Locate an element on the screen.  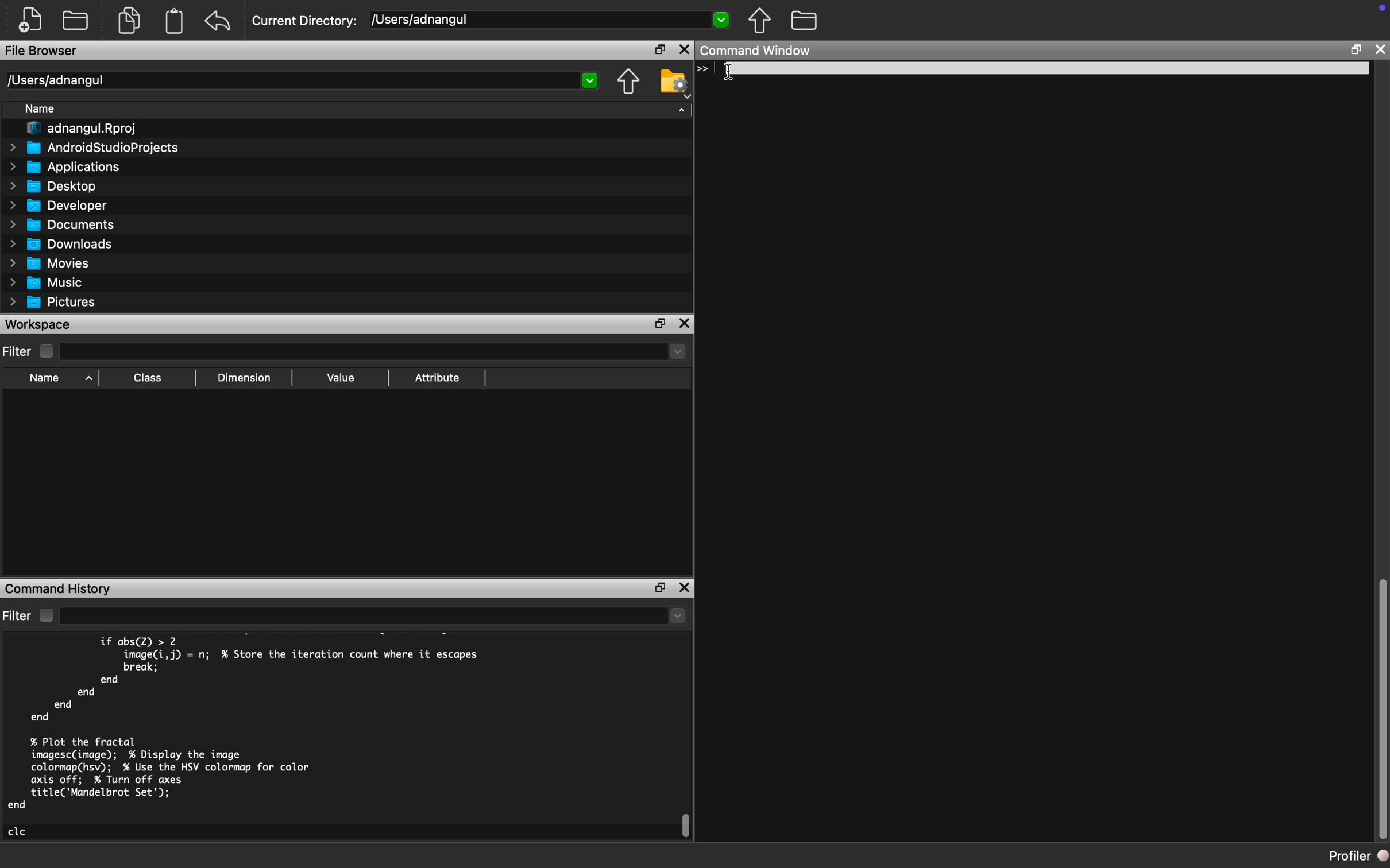
Redo is located at coordinates (221, 22).